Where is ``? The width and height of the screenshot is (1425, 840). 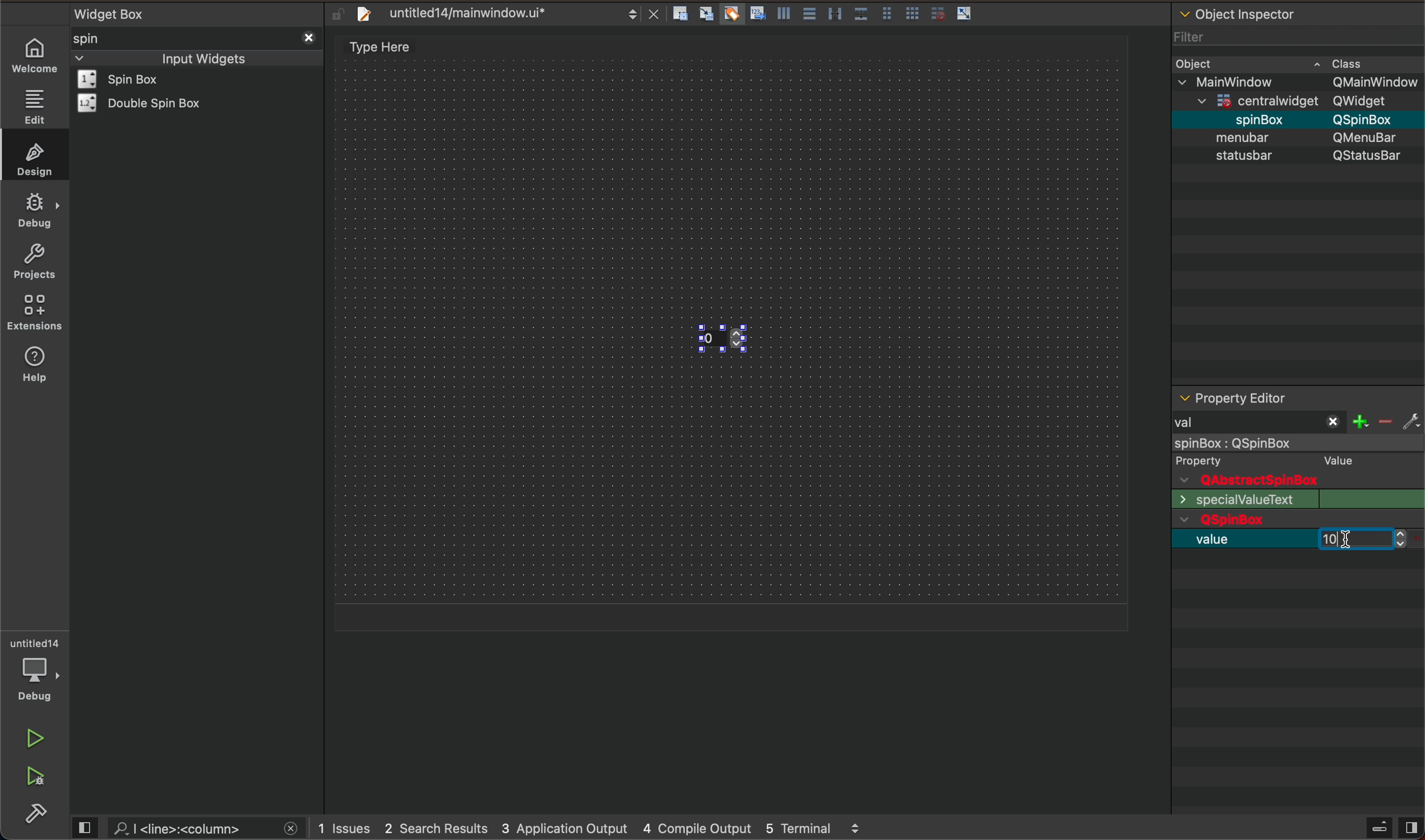
 is located at coordinates (1369, 137).